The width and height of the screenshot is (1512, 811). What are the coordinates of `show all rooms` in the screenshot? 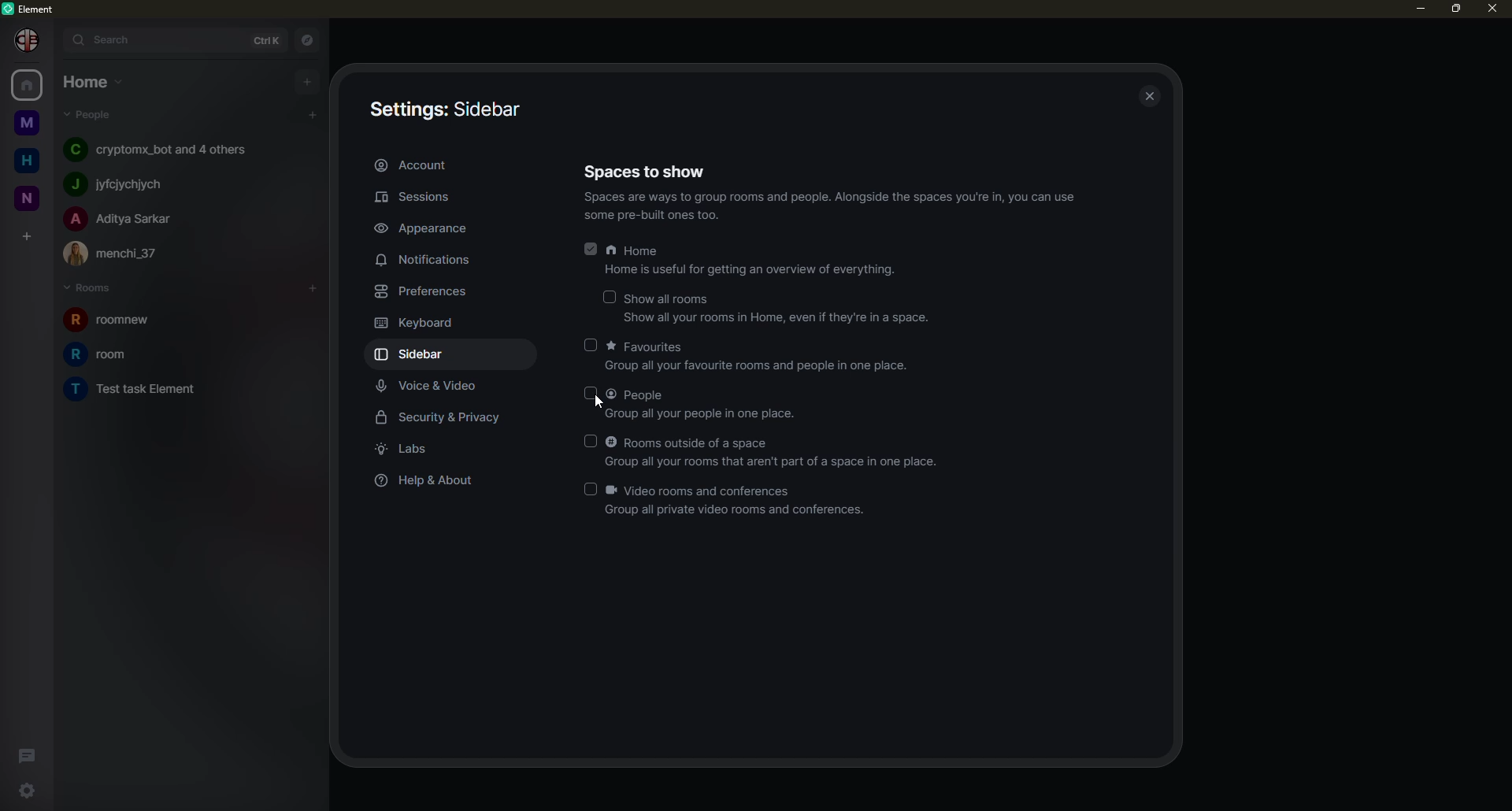 It's located at (776, 308).